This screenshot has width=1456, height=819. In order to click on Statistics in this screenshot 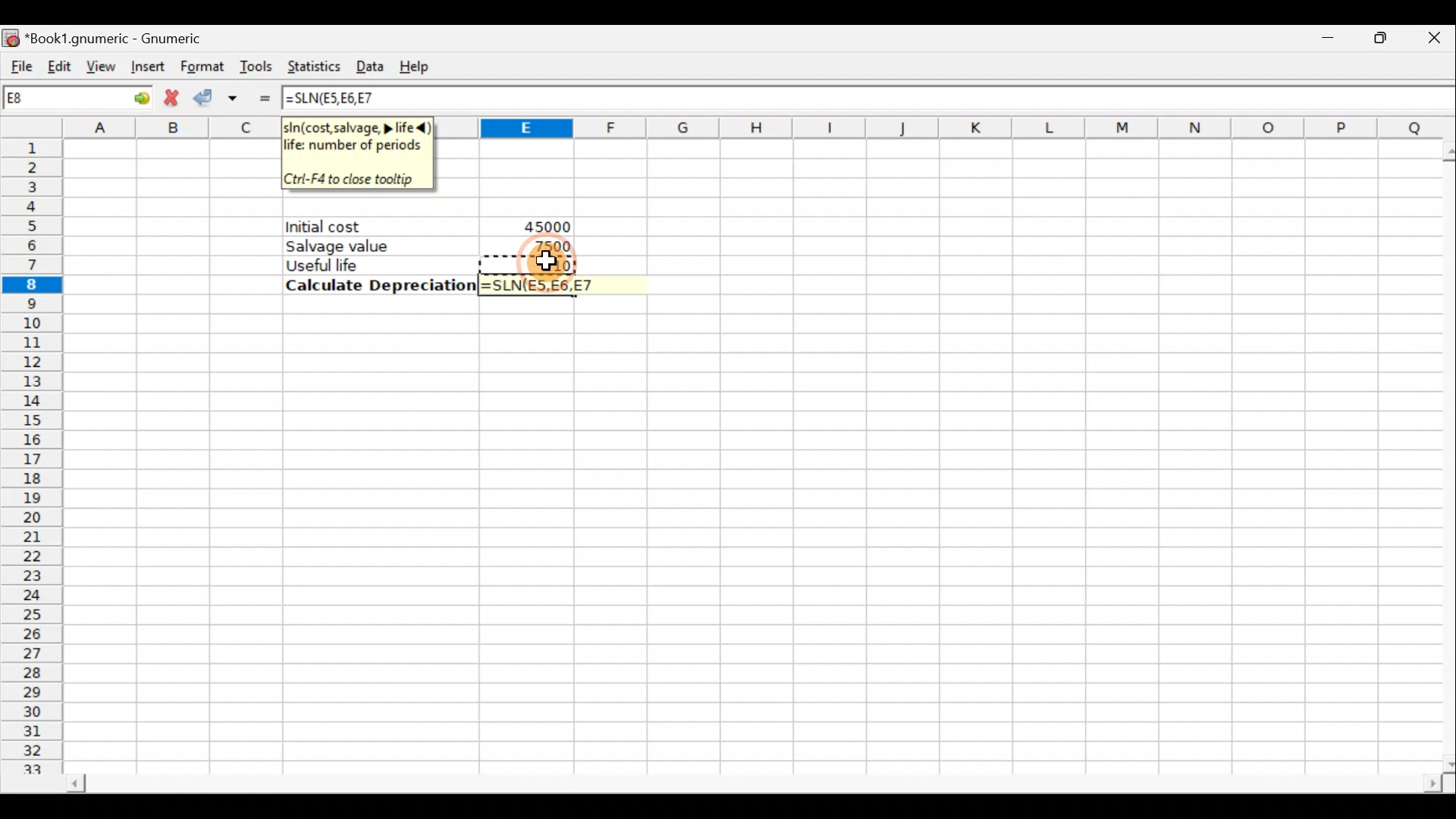, I will do `click(313, 67)`.